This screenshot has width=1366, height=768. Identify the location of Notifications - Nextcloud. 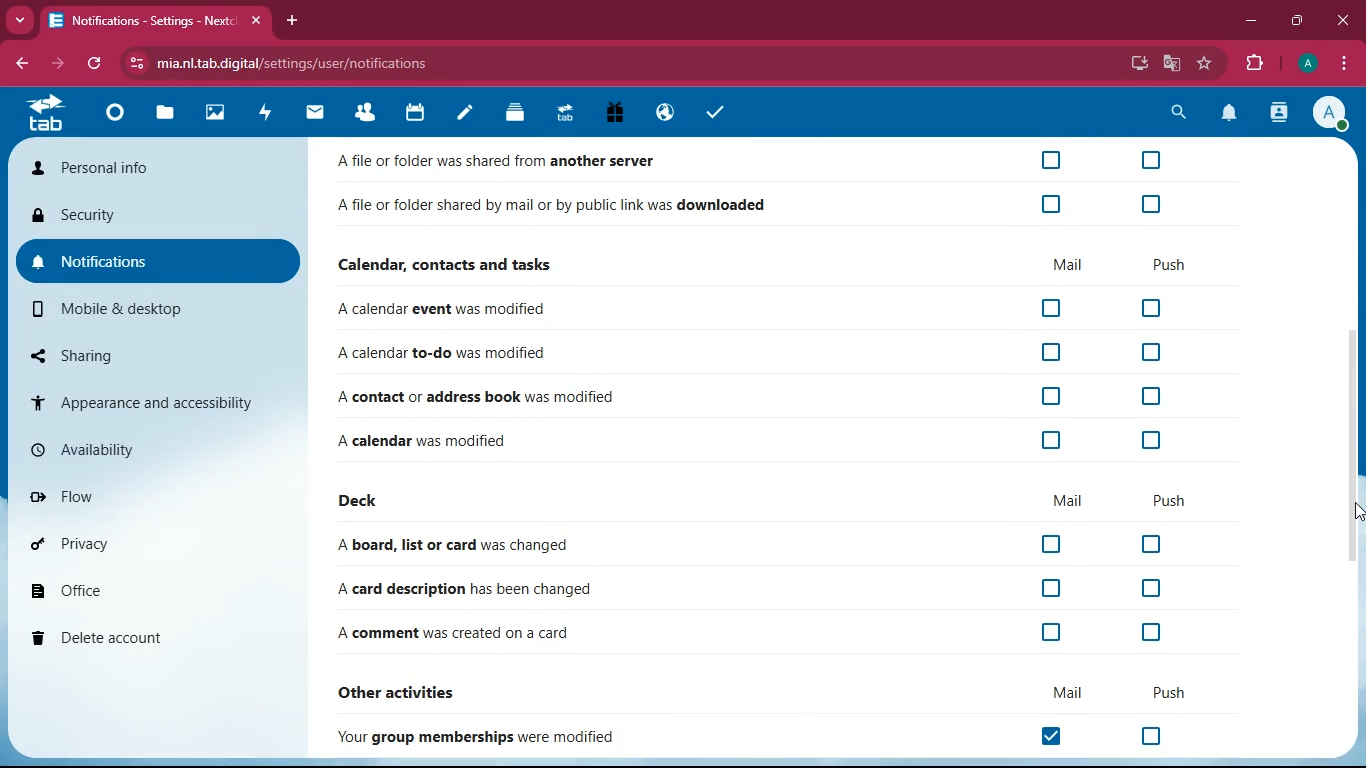
(138, 21).